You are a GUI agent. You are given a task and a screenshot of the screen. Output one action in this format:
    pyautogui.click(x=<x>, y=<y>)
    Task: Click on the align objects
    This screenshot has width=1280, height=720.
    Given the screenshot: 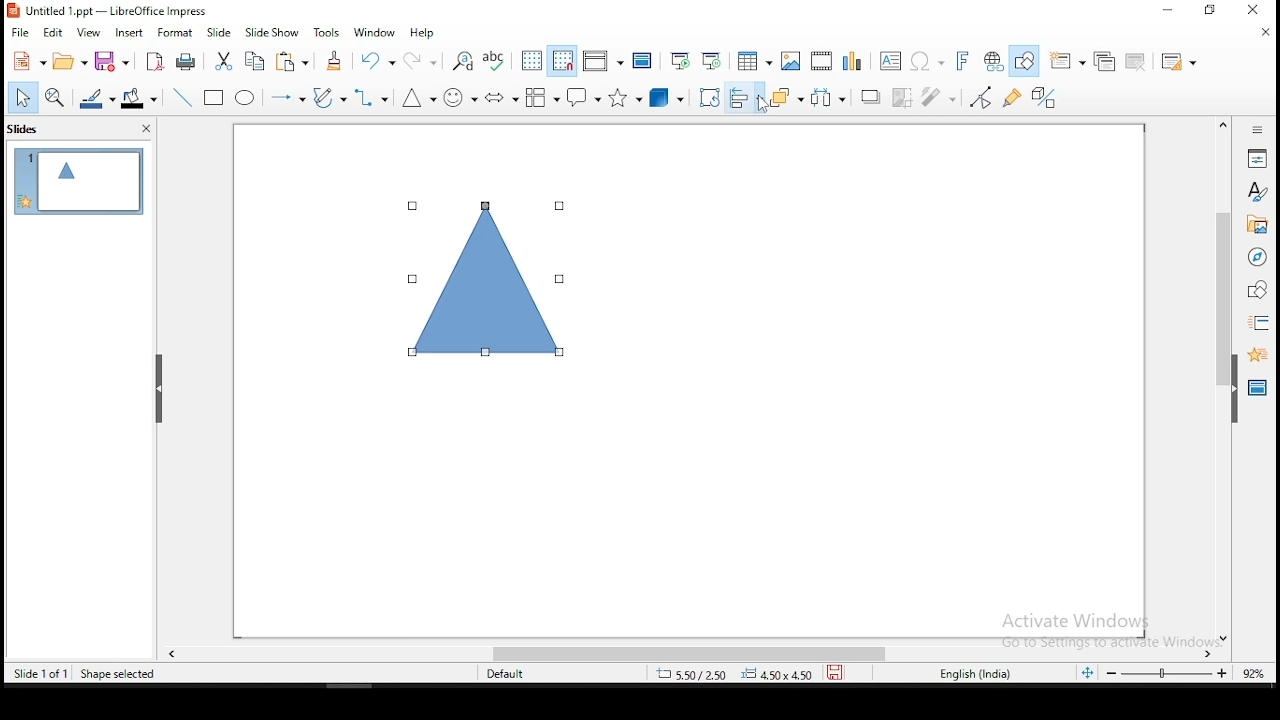 What is the action you would take?
    pyautogui.click(x=745, y=99)
    